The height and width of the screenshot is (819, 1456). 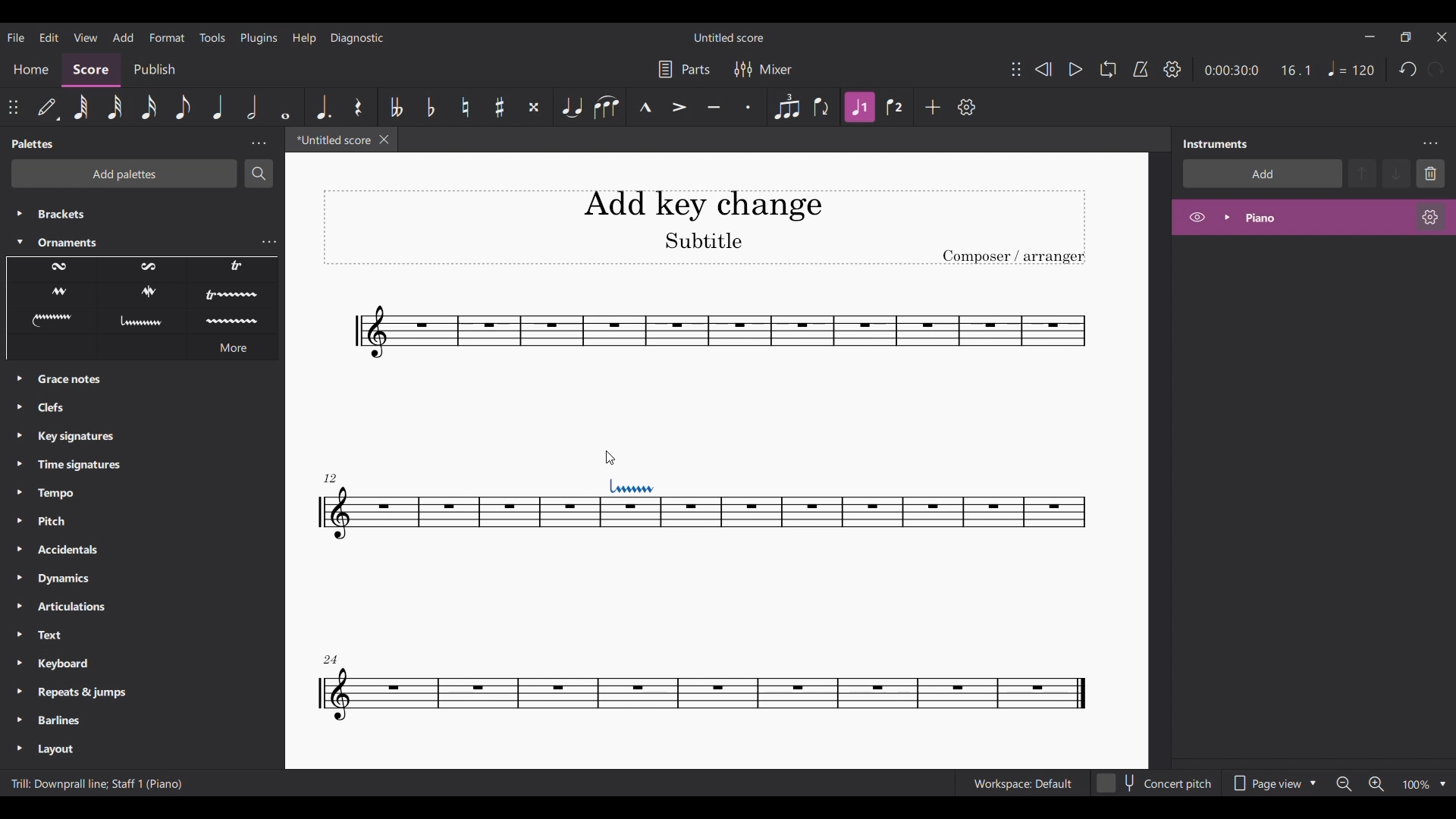 I want to click on Add palettes, so click(x=124, y=174).